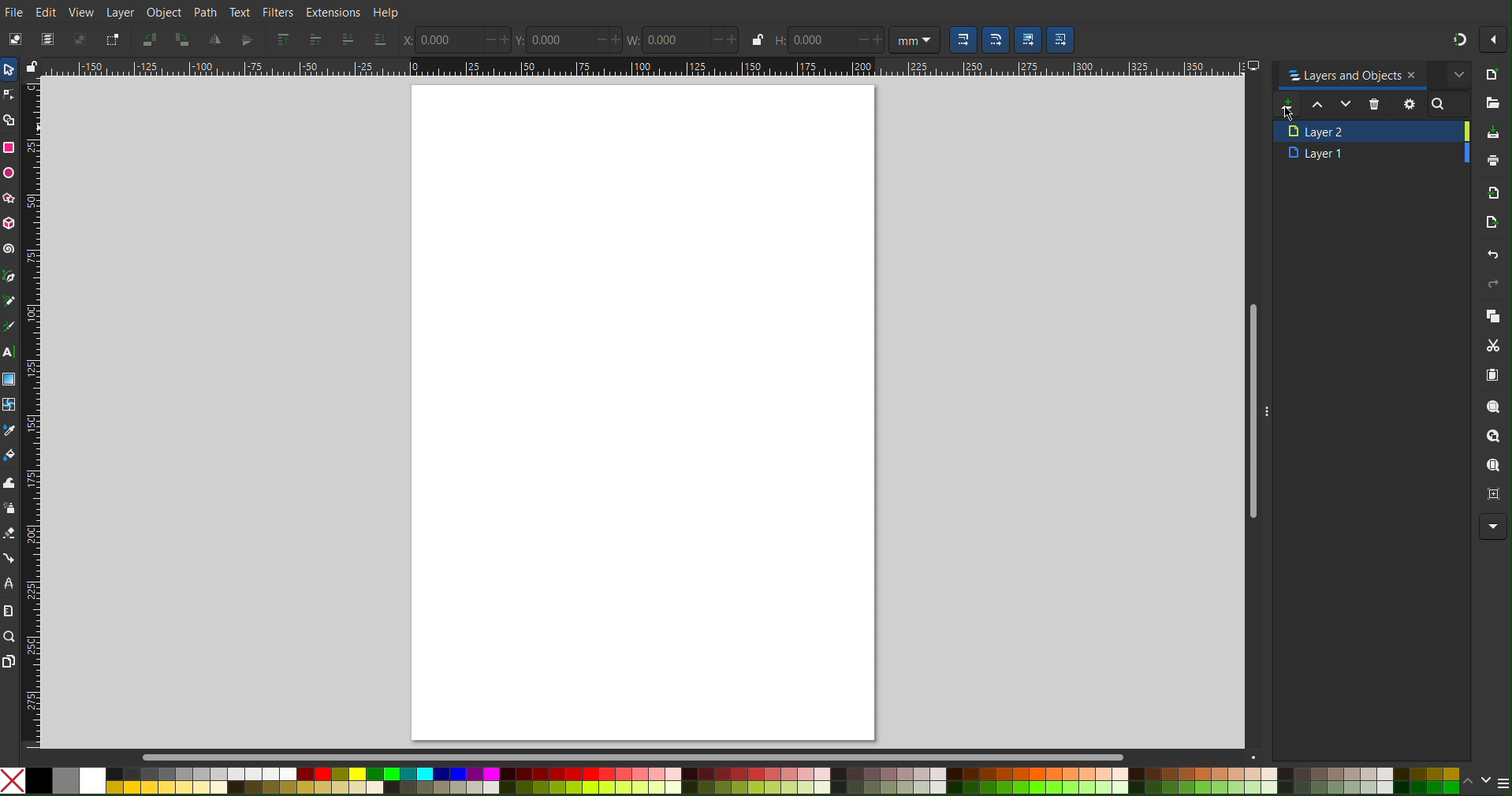 The image size is (1512, 796). I want to click on Layer 2, so click(1372, 132).